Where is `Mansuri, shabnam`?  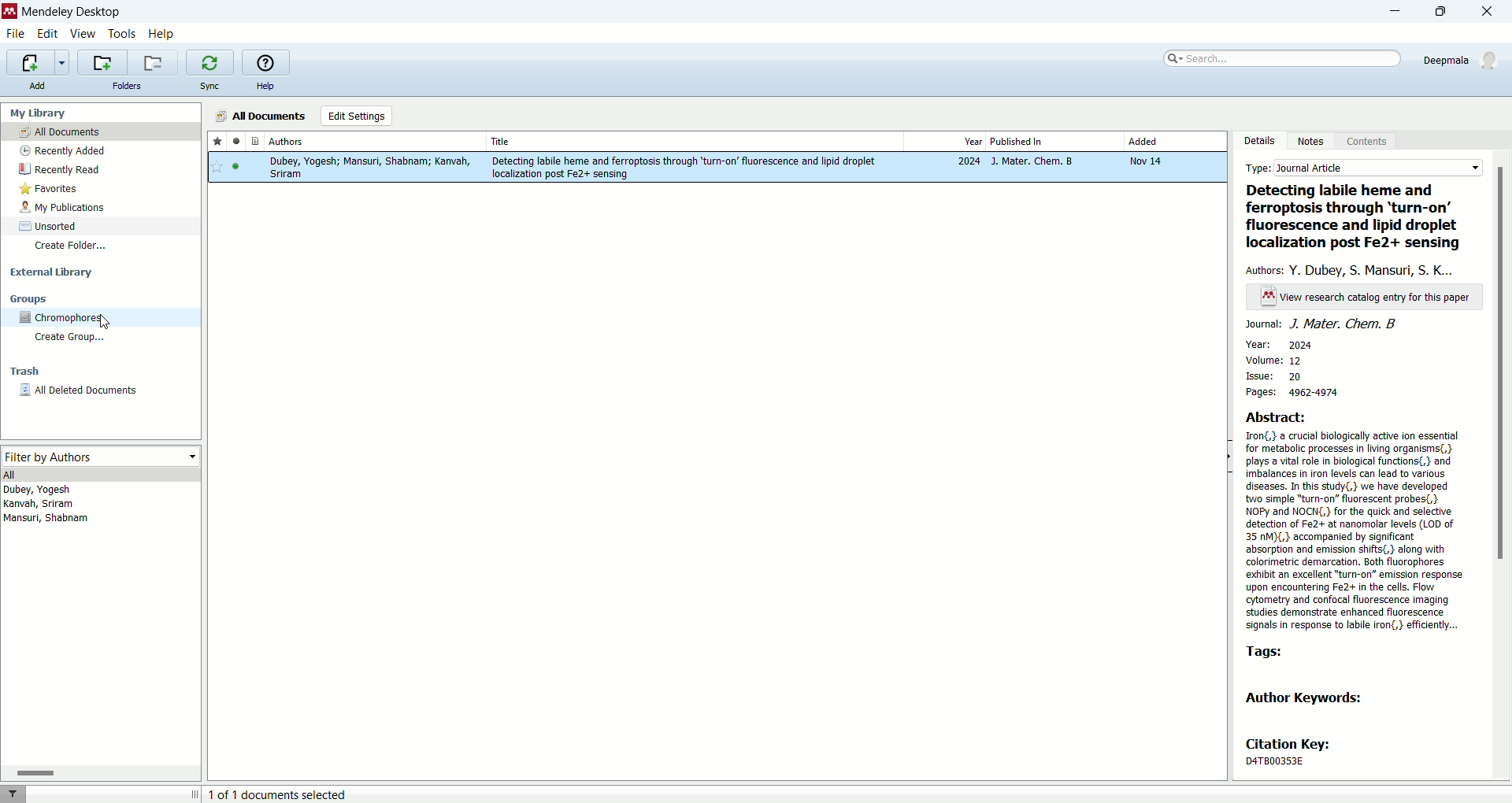
Mansuri, shabnam is located at coordinates (49, 520).